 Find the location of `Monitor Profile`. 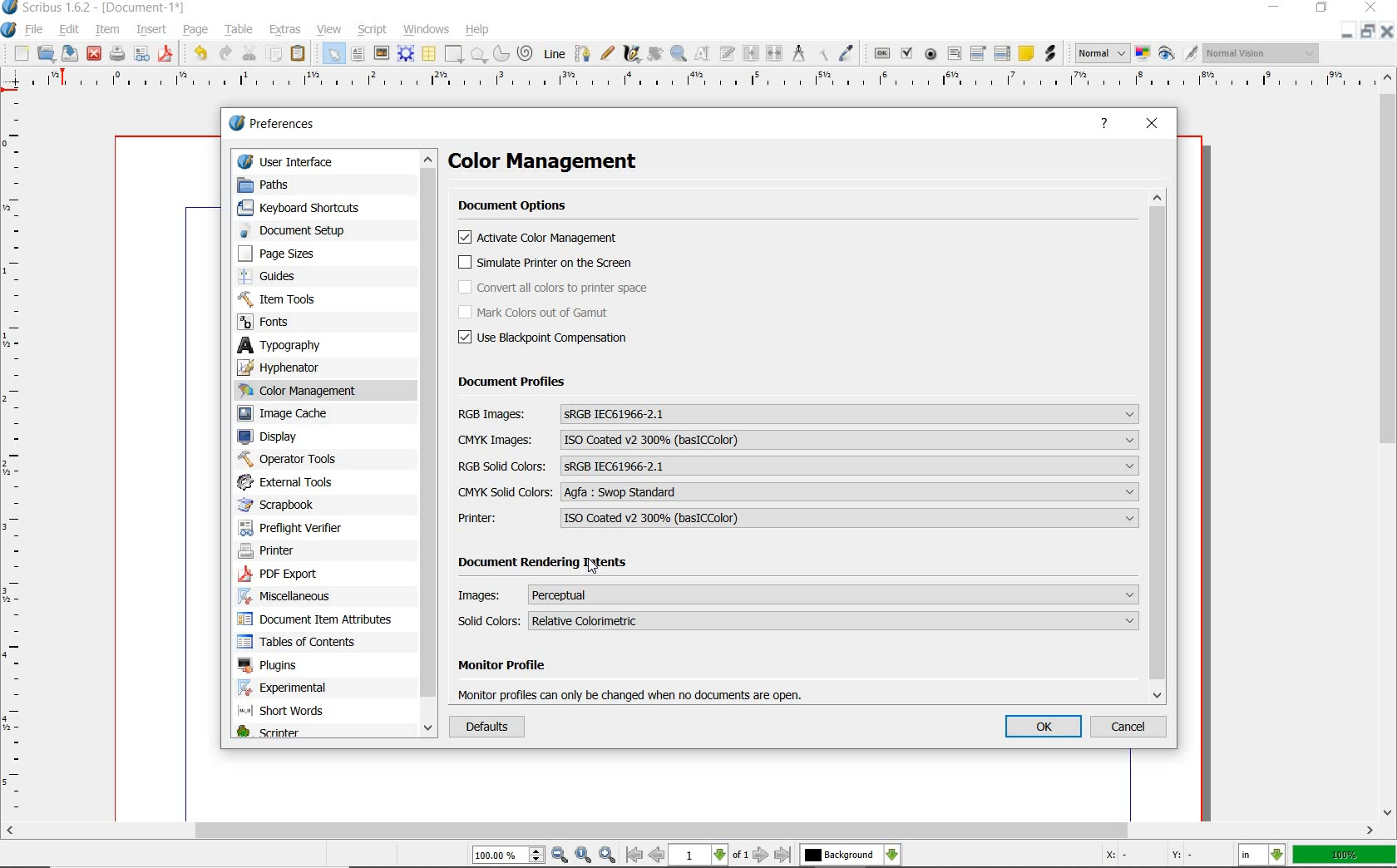

Monitor Profile is located at coordinates (638, 668).